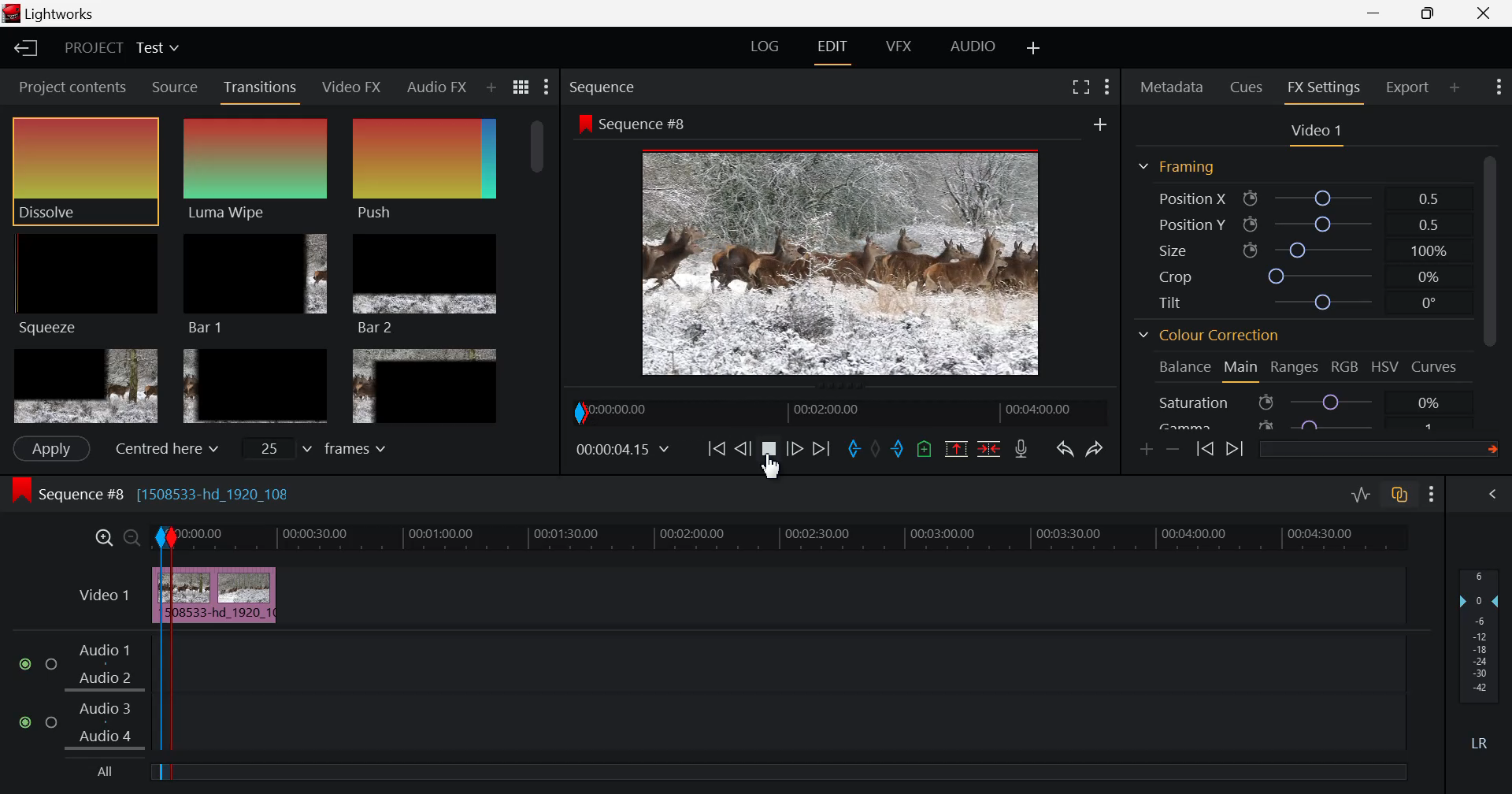  Describe the element at coordinates (523, 87) in the screenshot. I see `Toggle between list and title view` at that location.